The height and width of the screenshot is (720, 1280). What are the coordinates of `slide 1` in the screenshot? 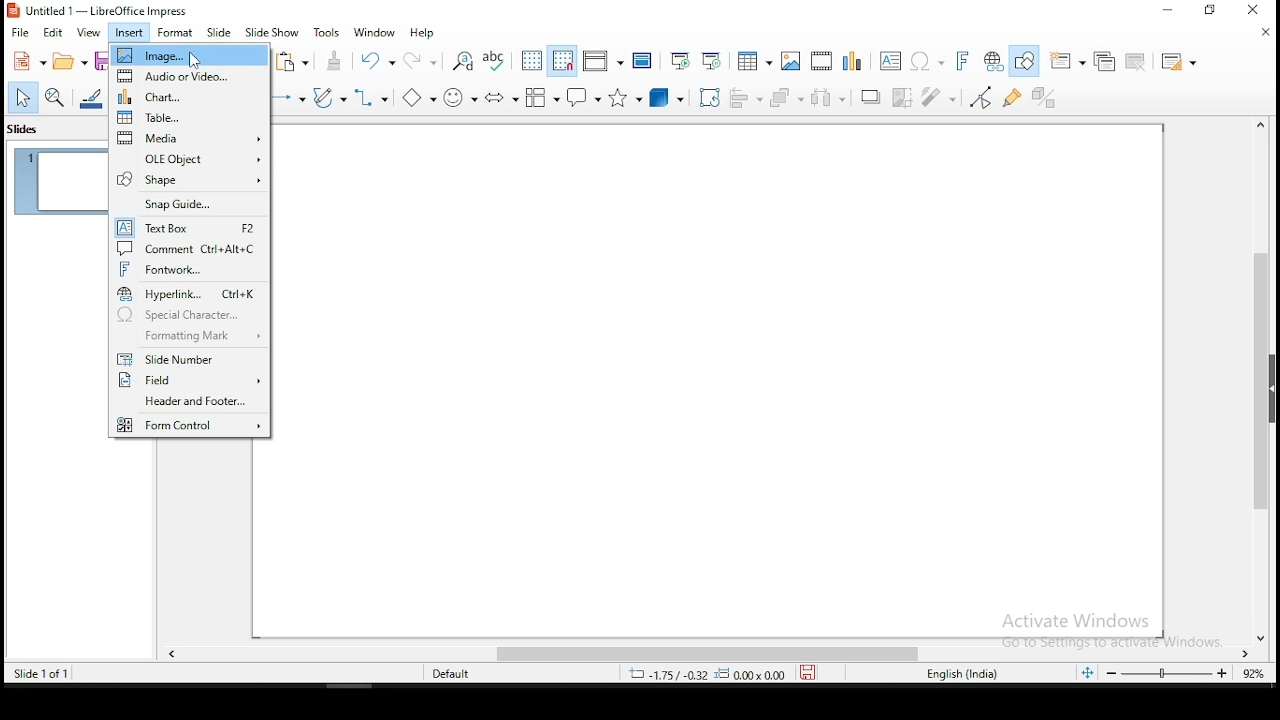 It's located at (59, 181).